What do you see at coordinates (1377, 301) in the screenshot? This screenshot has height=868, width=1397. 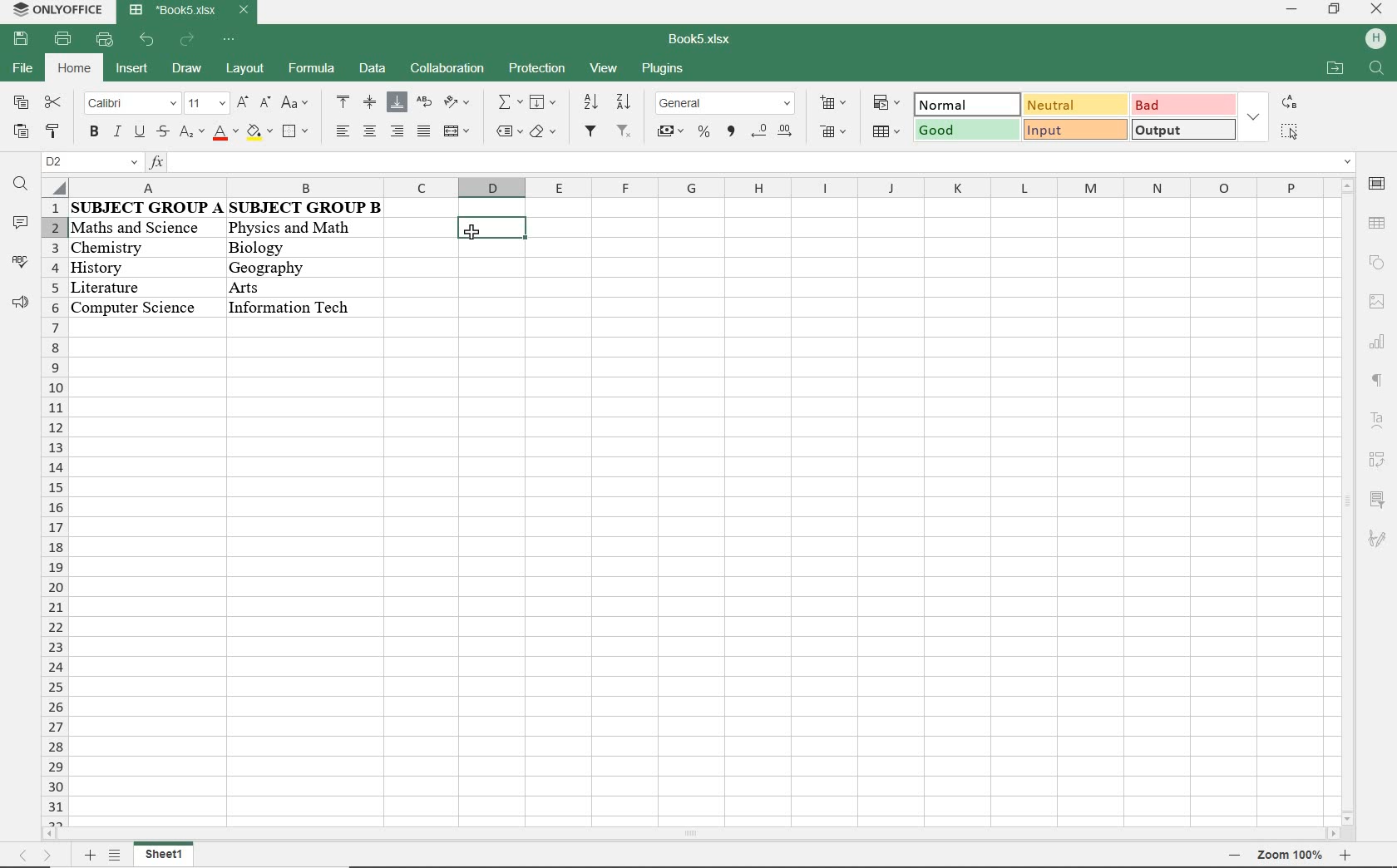 I see `image` at bounding box center [1377, 301].